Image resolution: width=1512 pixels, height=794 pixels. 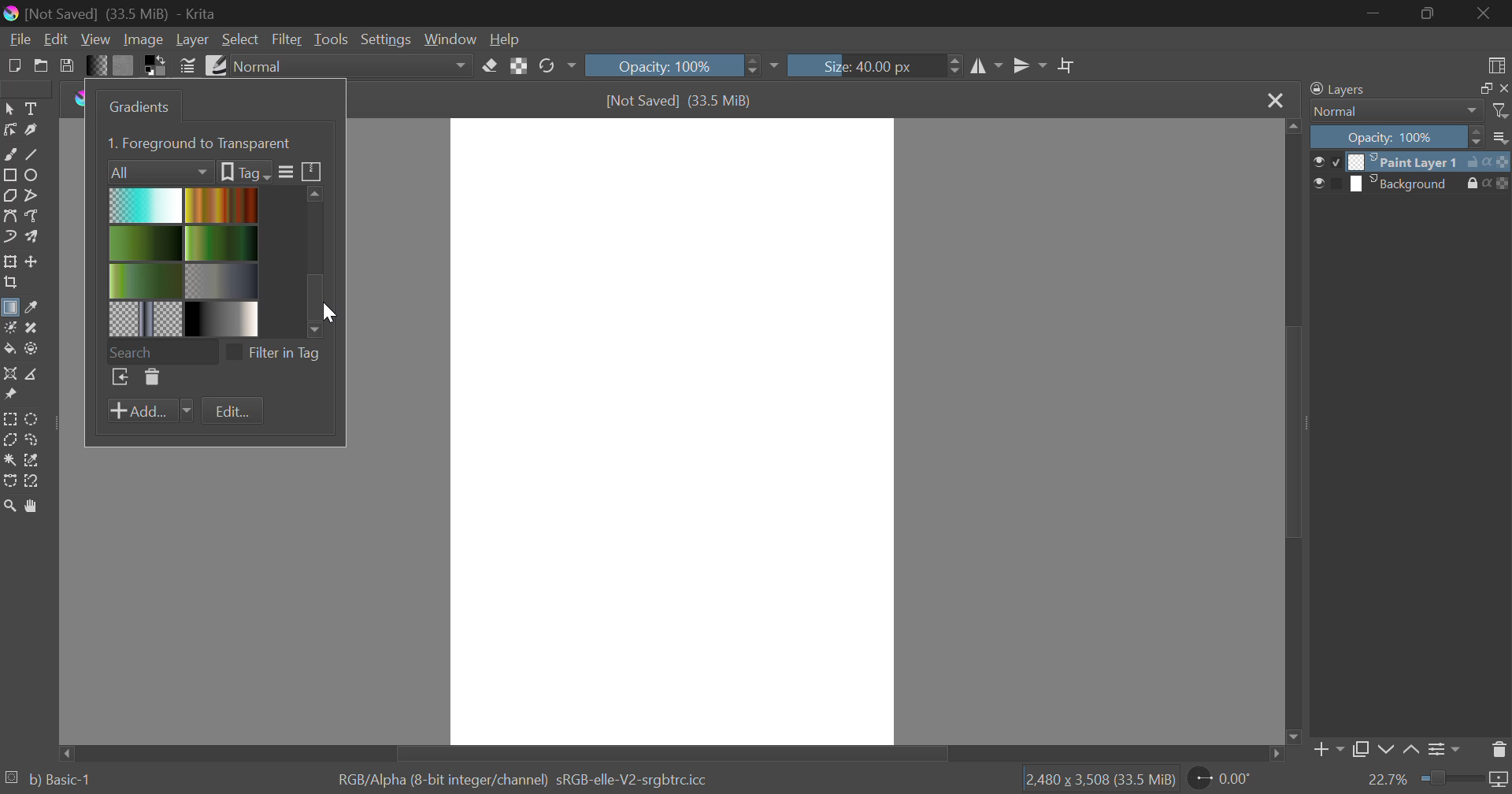 What do you see at coordinates (232, 412) in the screenshot?
I see `Edit...` at bounding box center [232, 412].